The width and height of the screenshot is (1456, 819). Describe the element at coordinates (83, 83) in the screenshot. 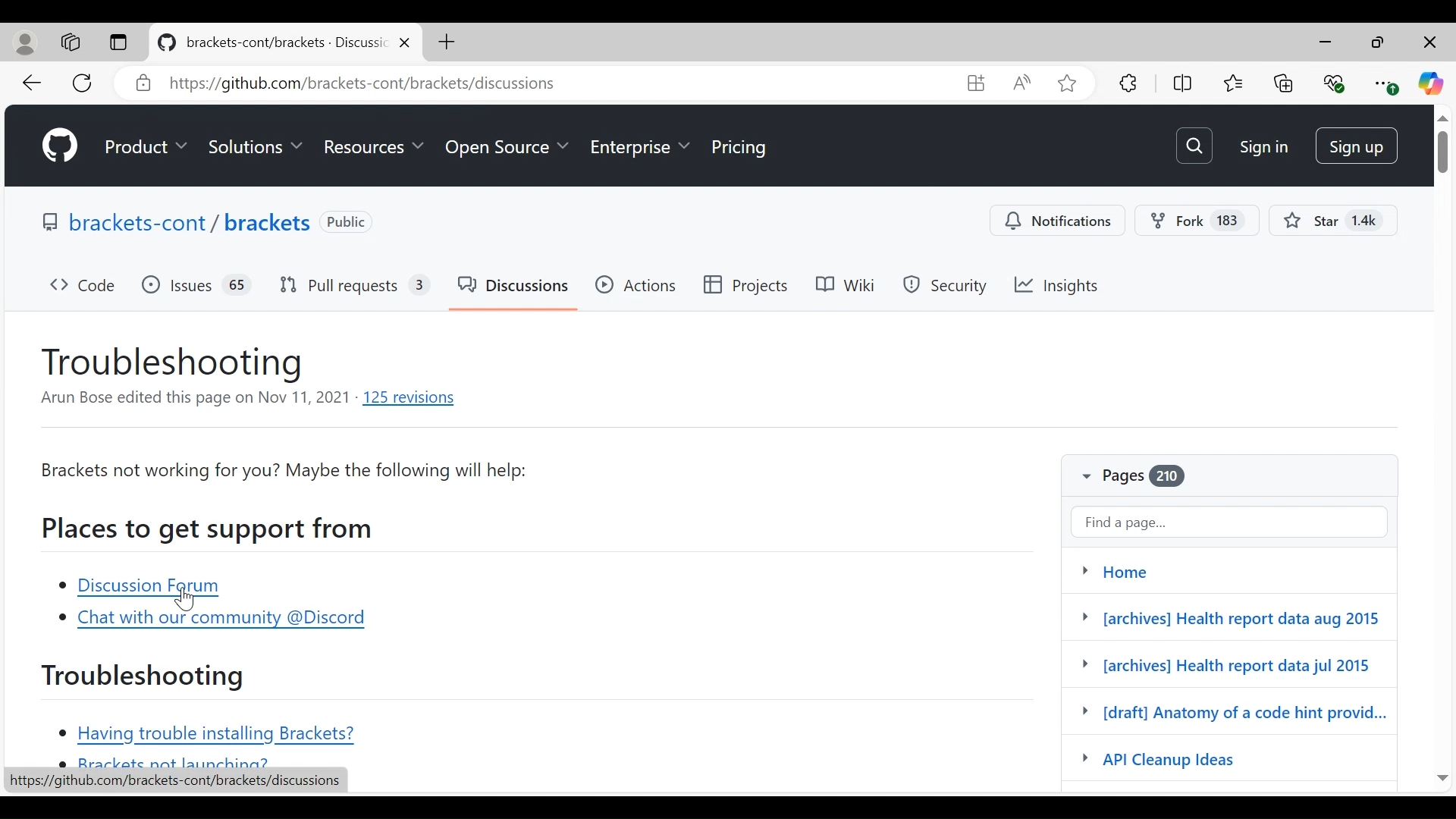

I see `Reload` at that location.